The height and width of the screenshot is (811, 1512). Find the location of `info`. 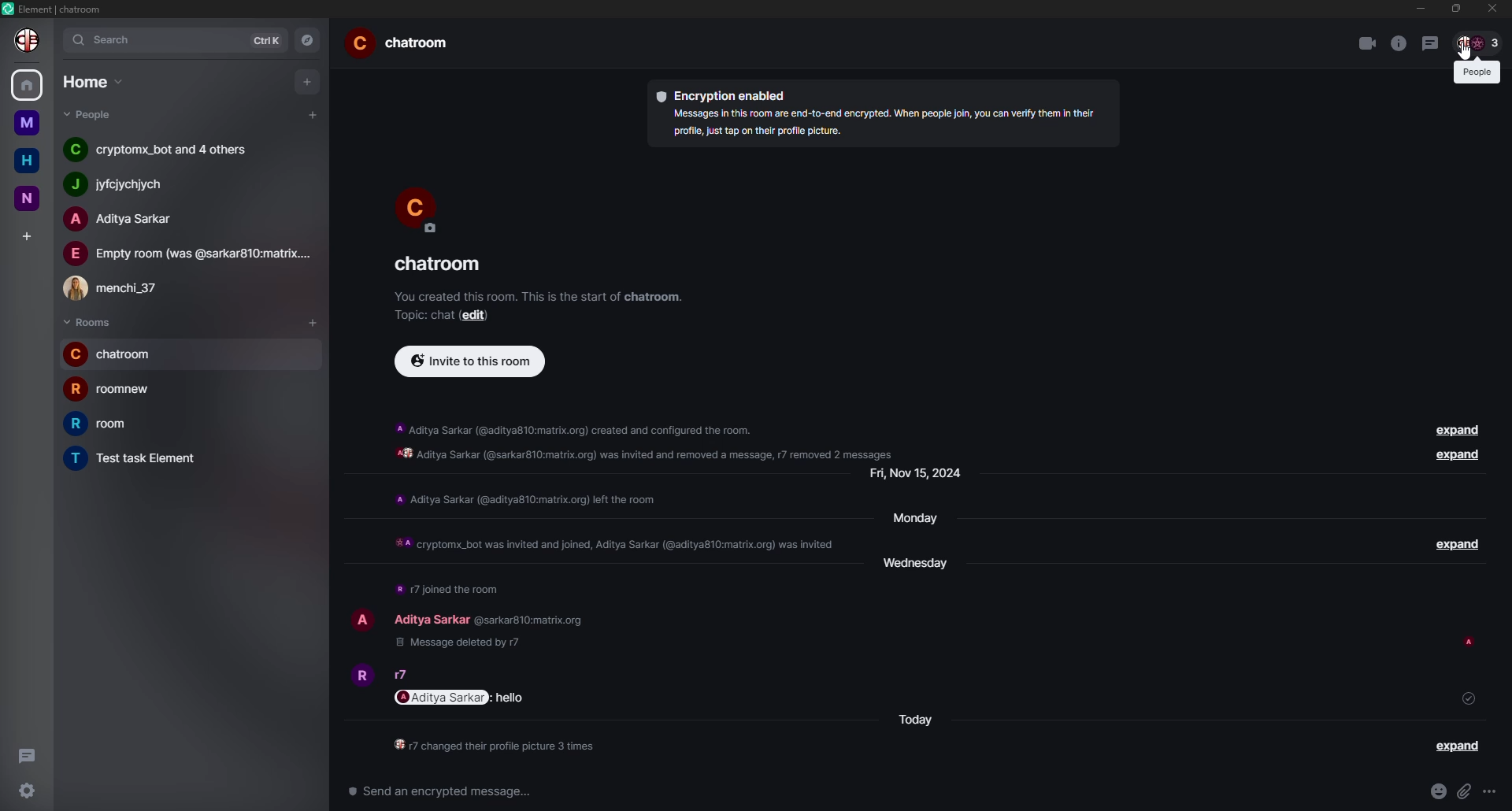

info is located at coordinates (539, 295).